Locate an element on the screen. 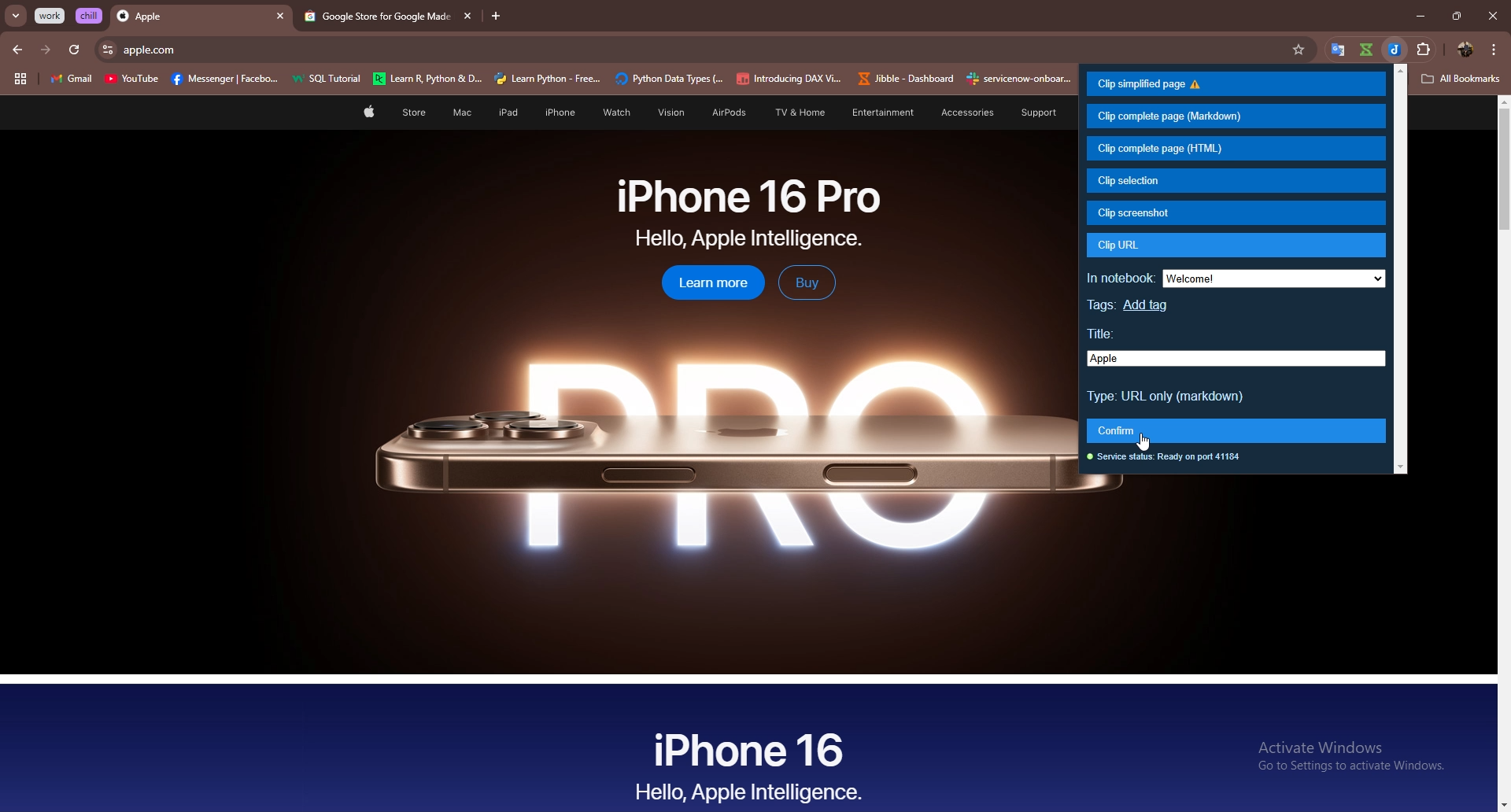 The image size is (1511, 812). close tab is located at coordinates (465, 16).